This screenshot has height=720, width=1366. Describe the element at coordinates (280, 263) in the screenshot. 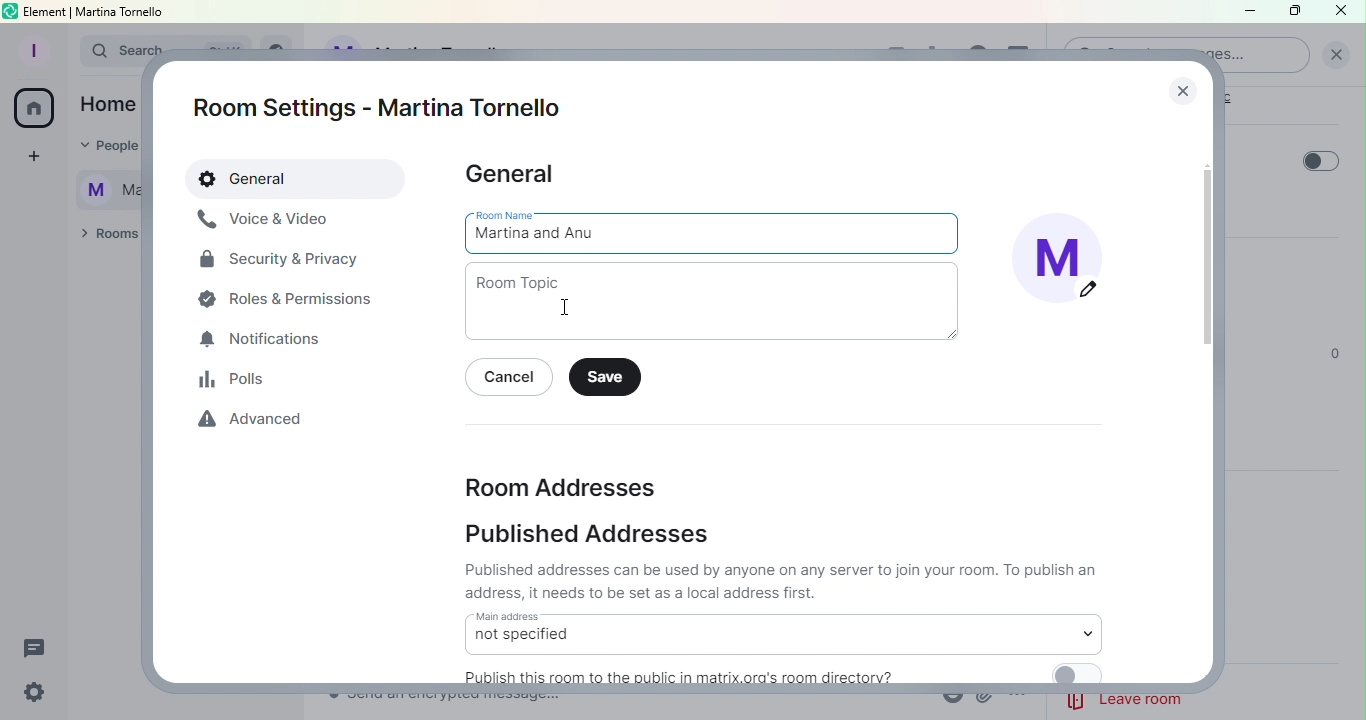

I see `Security and Privacy` at that location.